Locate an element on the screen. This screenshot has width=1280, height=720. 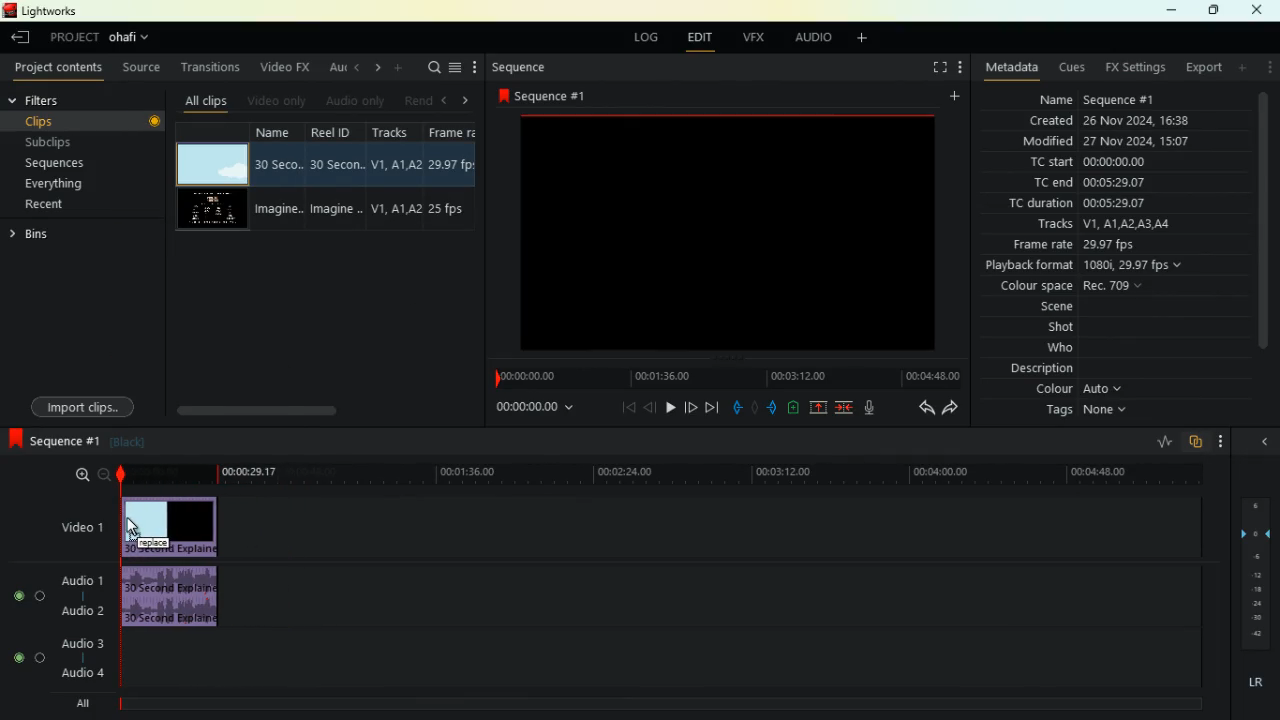
sequence is located at coordinates (543, 95).